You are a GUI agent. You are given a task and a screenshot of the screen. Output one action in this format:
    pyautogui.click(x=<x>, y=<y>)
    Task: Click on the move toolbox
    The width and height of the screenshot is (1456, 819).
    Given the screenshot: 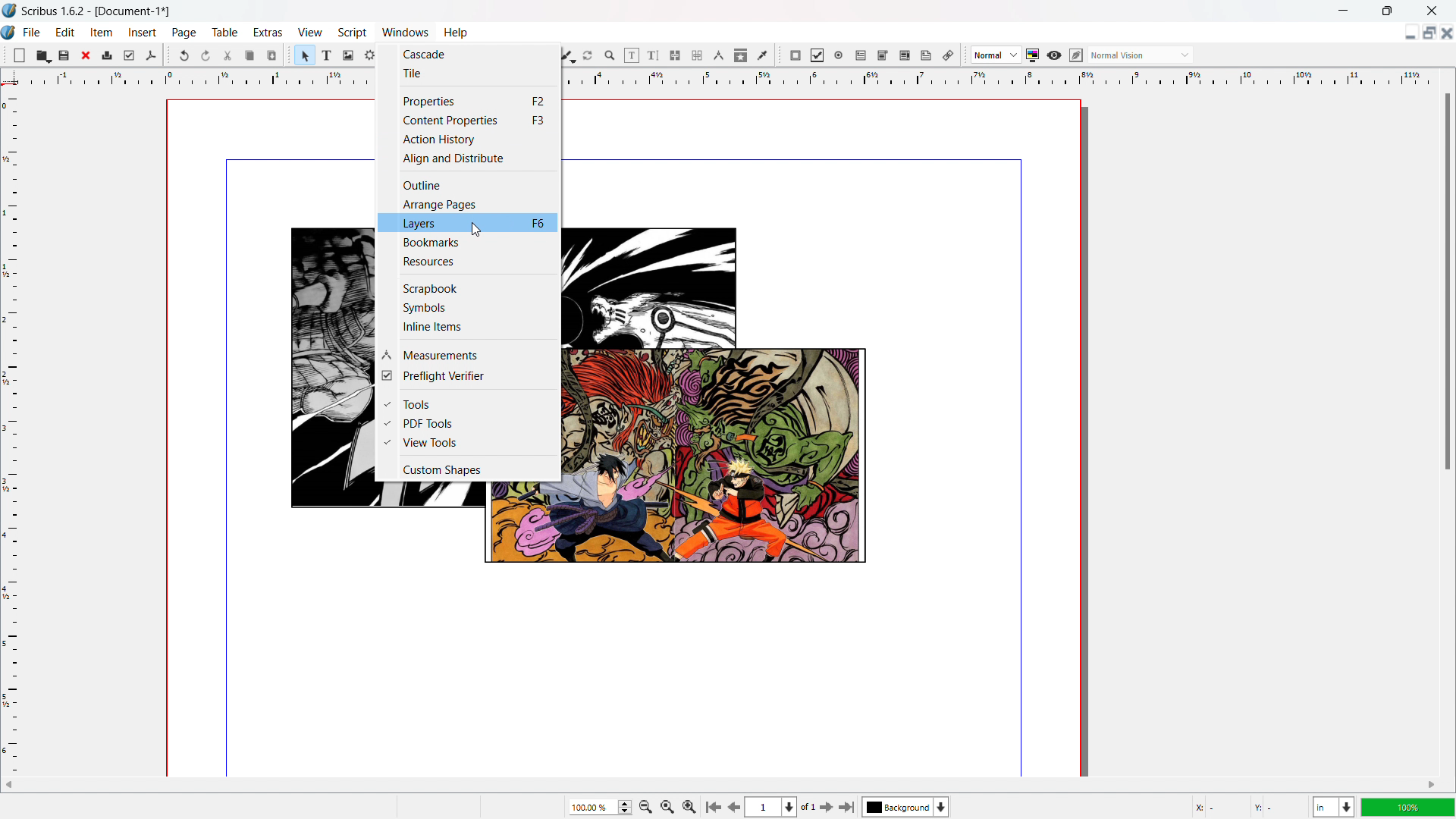 What is the action you would take?
    pyautogui.click(x=780, y=55)
    